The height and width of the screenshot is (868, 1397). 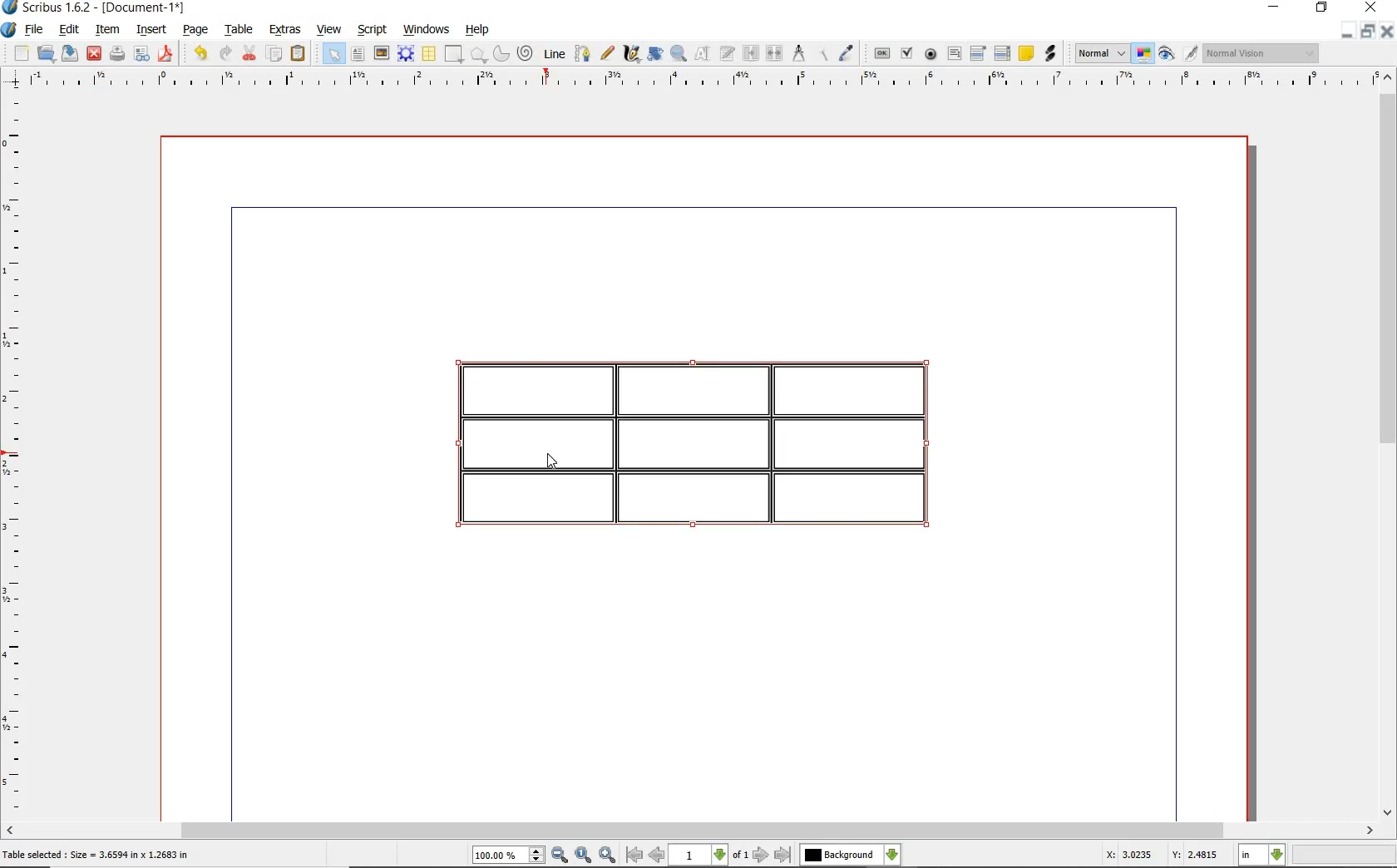 I want to click on file, so click(x=36, y=31).